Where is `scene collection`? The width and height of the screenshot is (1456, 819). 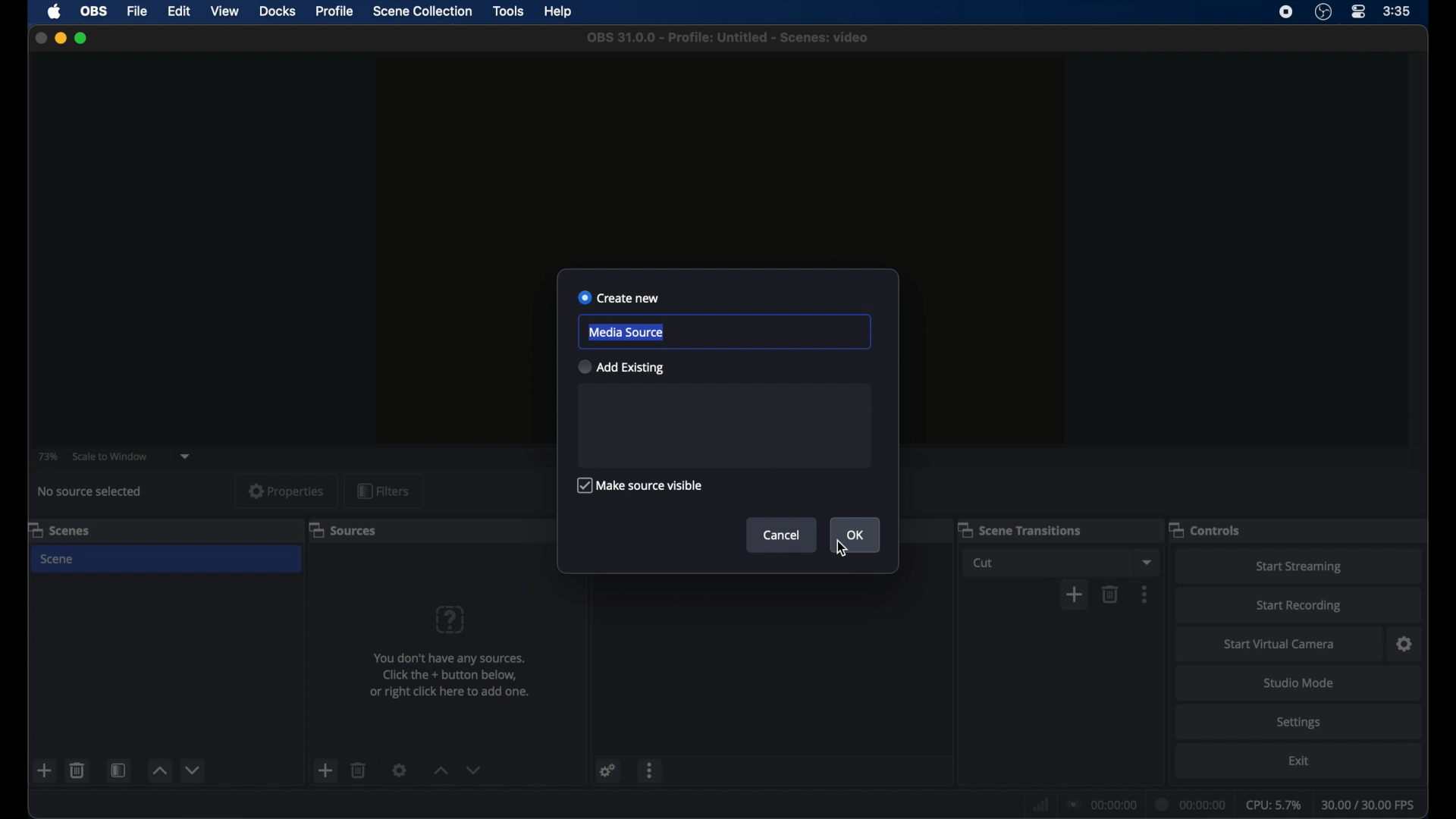
scene collection is located at coordinates (425, 11).